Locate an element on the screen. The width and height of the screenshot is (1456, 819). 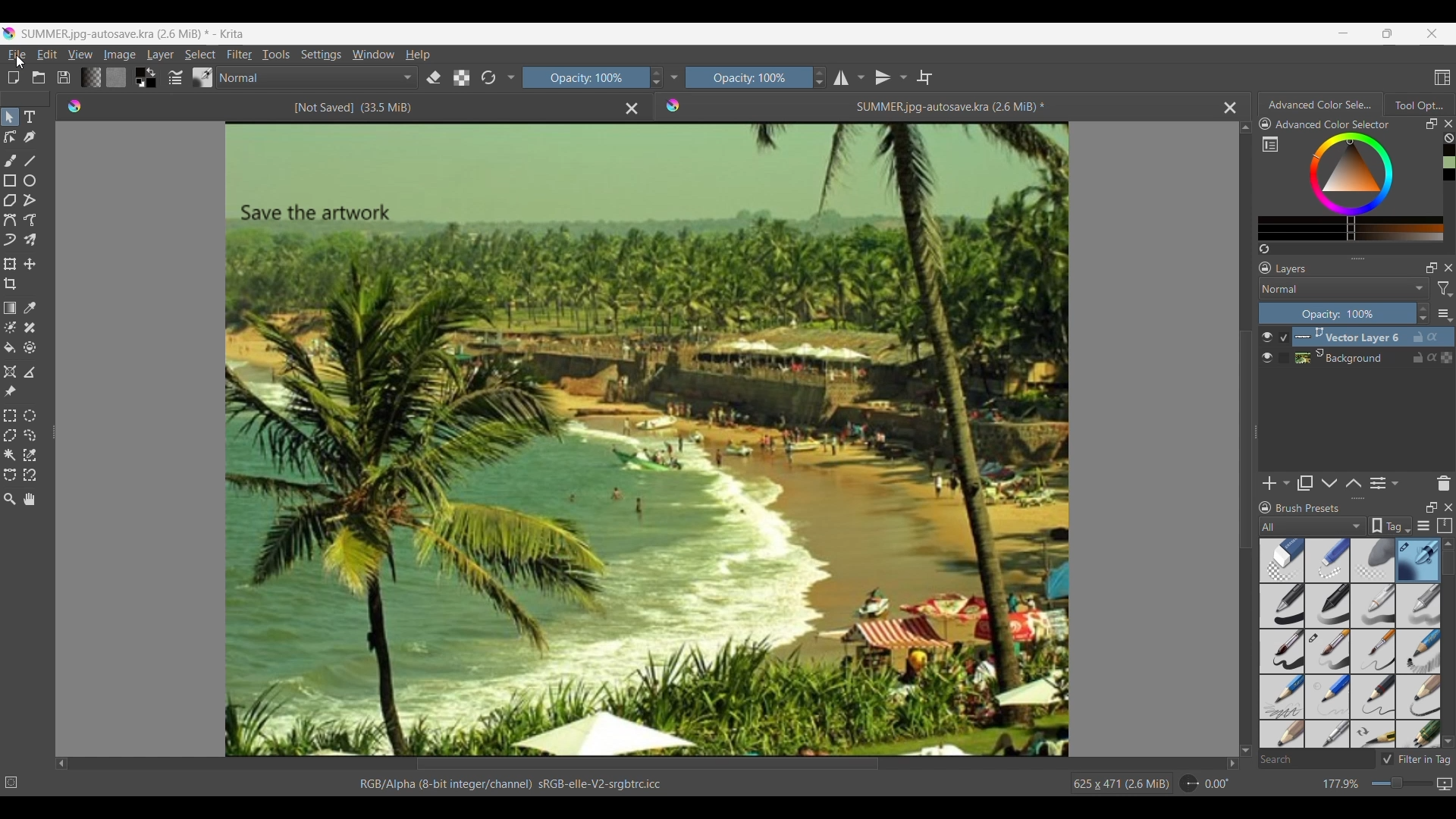
Show/Hide more tools in the tool bar is located at coordinates (673, 78).